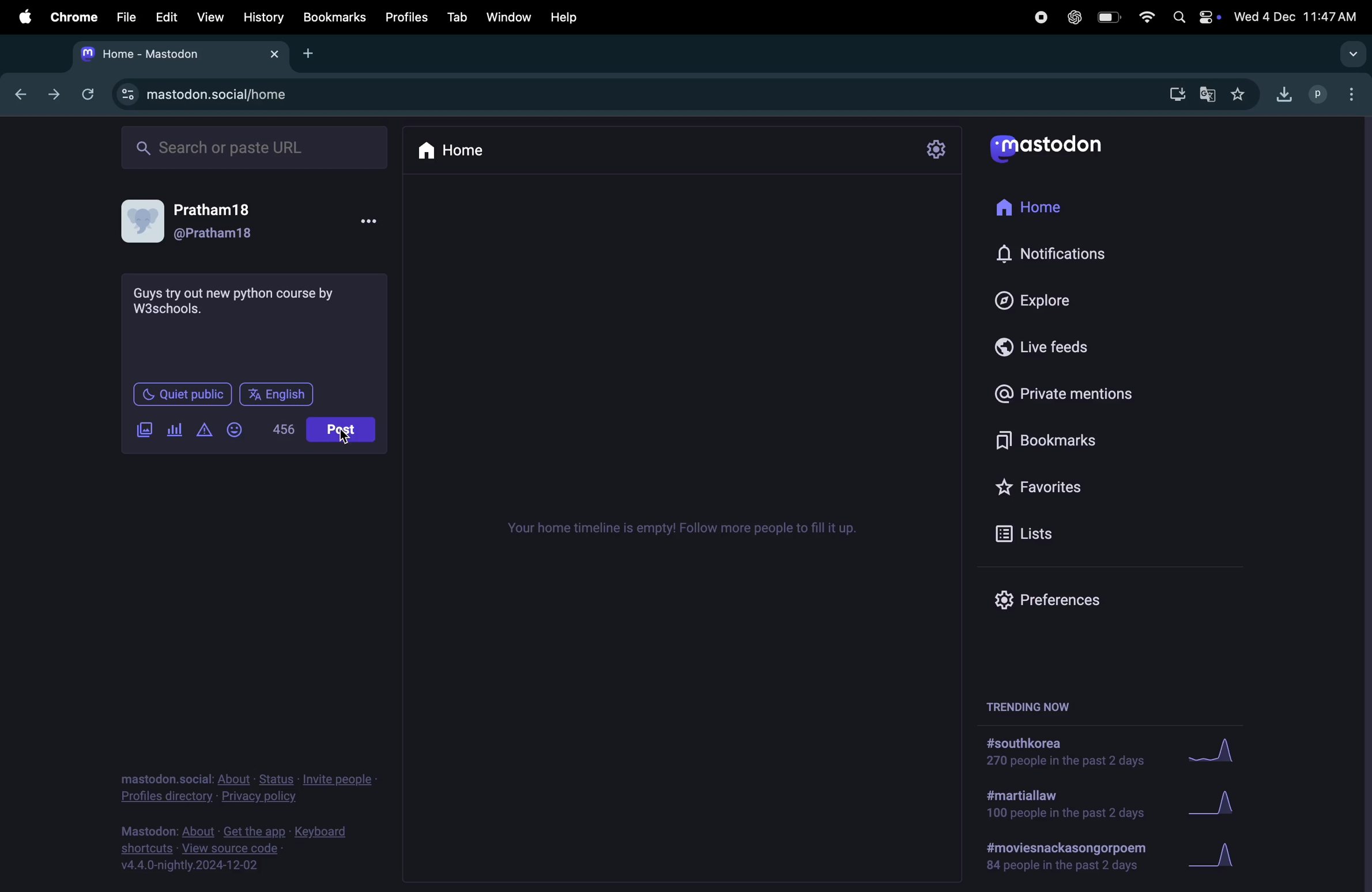 This screenshot has height=892, width=1372. What do you see at coordinates (1058, 436) in the screenshot?
I see `book marks` at bounding box center [1058, 436].